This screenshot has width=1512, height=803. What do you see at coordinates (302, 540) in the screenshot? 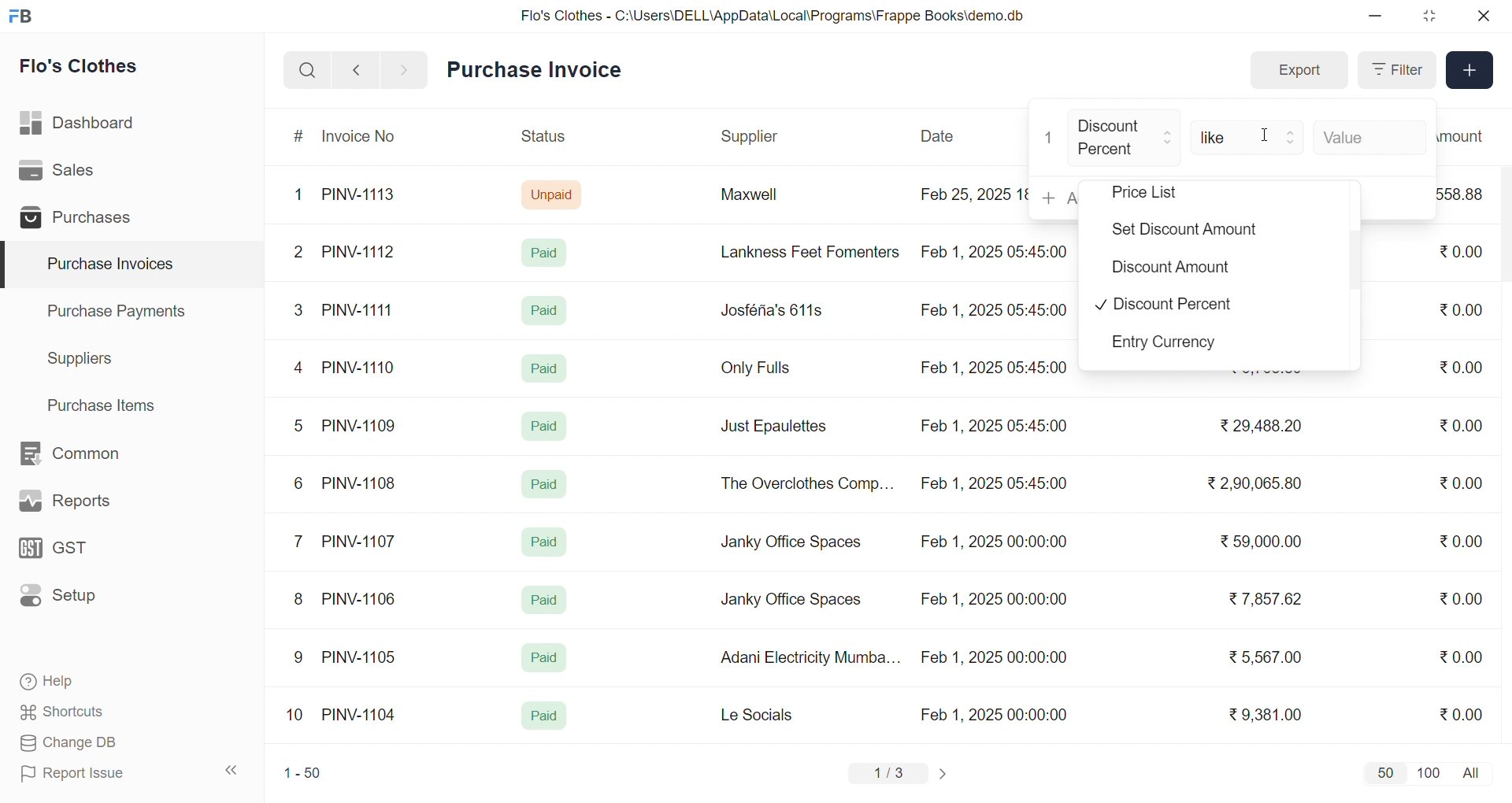
I see `7` at bounding box center [302, 540].